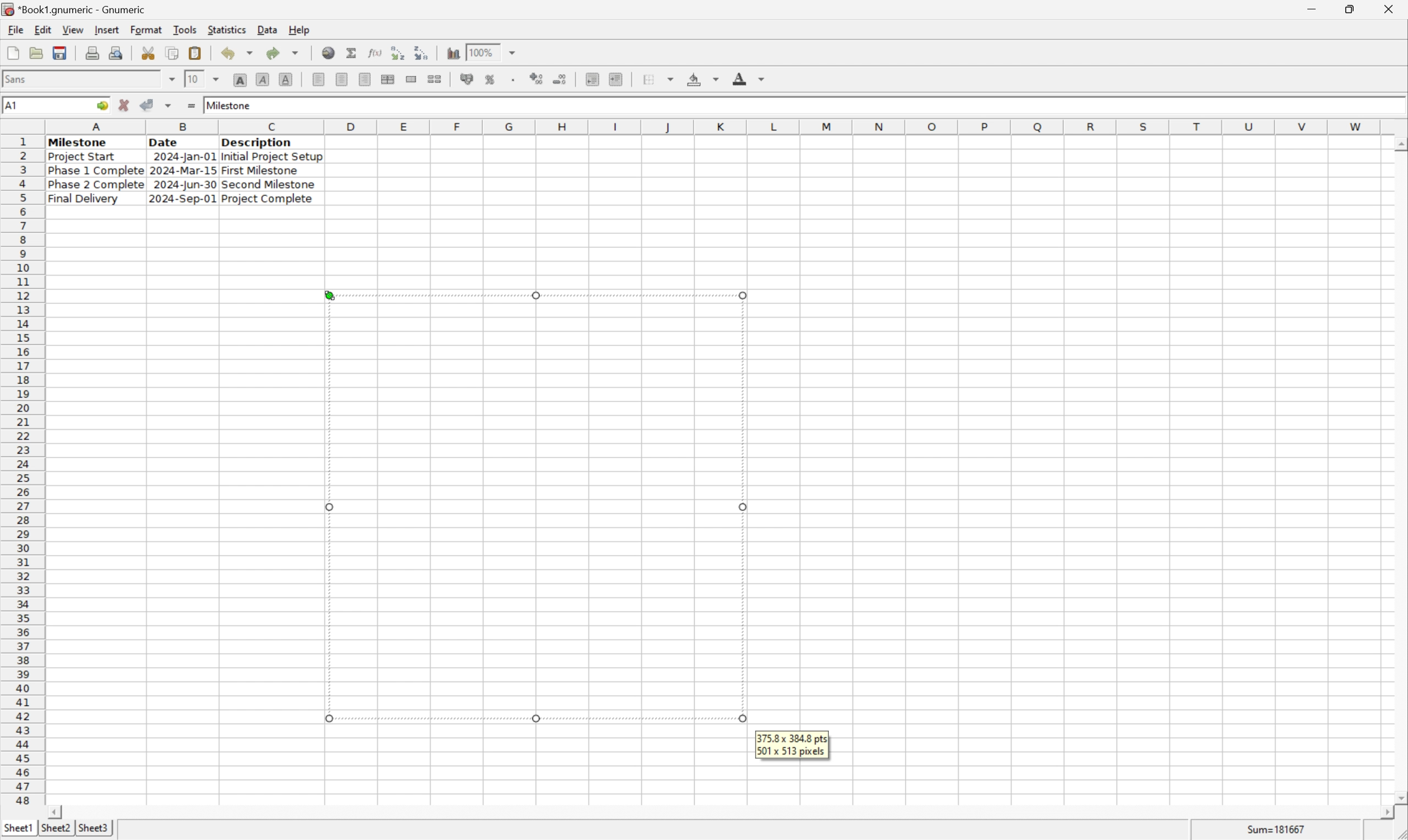 The width and height of the screenshot is (1408, 840). Describe the element at coordinates (195, 53) in the screenshot. I see `paste` at that location.